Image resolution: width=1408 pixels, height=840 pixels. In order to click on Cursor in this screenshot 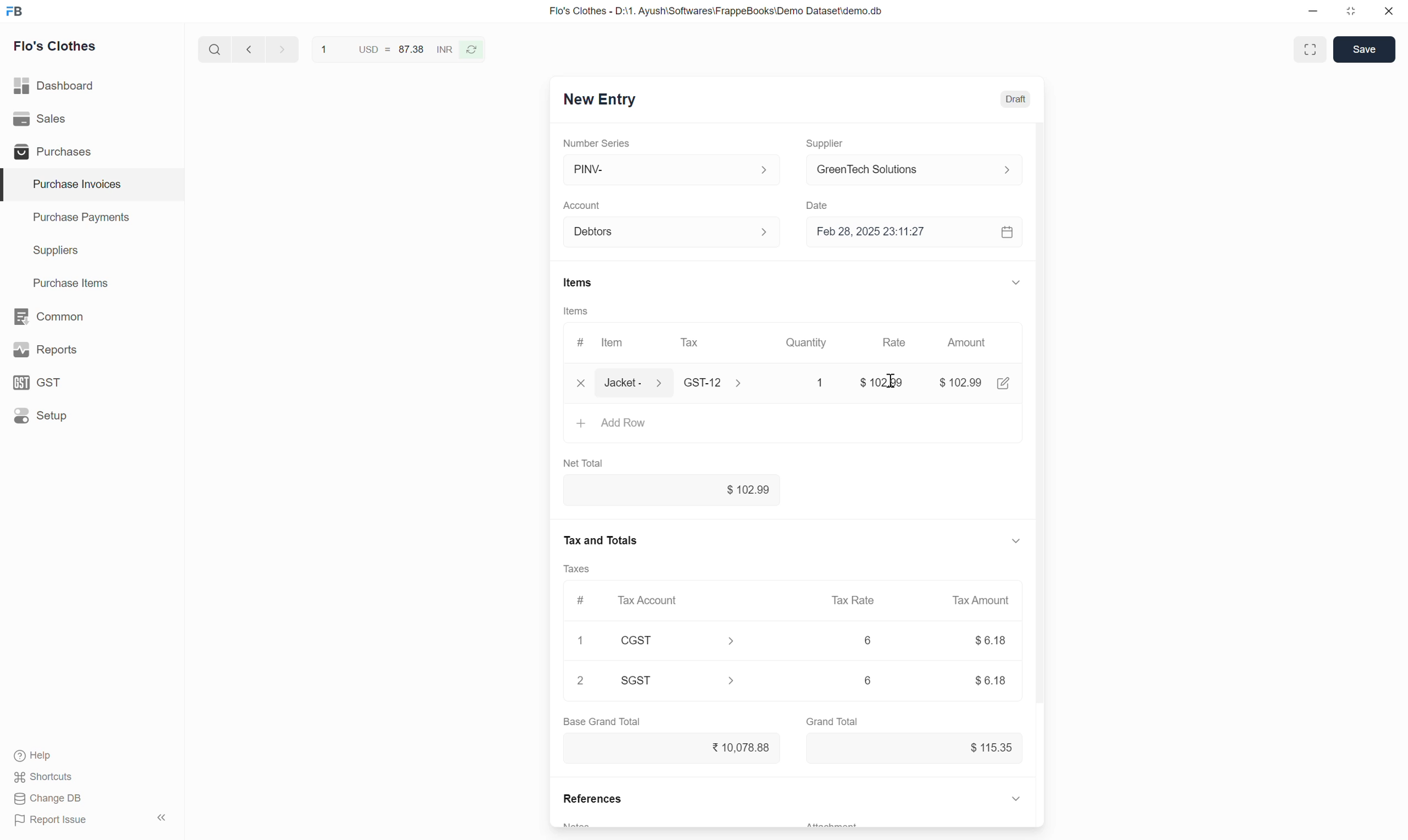, I will do `click(889, 380)`.